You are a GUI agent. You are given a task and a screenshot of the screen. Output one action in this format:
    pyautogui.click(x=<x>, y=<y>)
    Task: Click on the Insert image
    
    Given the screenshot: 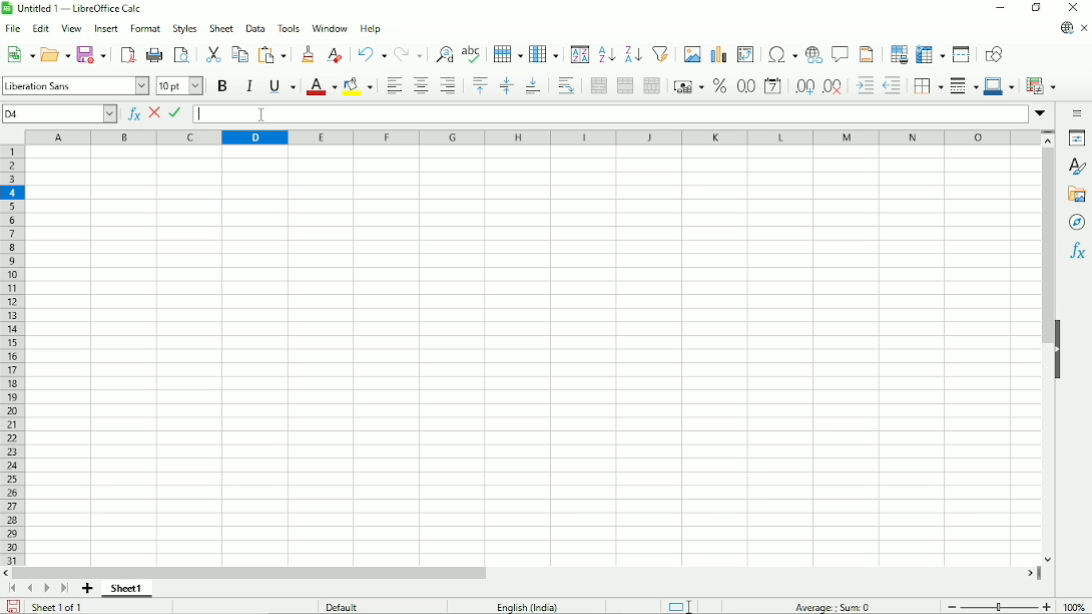 What is the action you would take?
    pyautogui.click(x=692, y=53)
    